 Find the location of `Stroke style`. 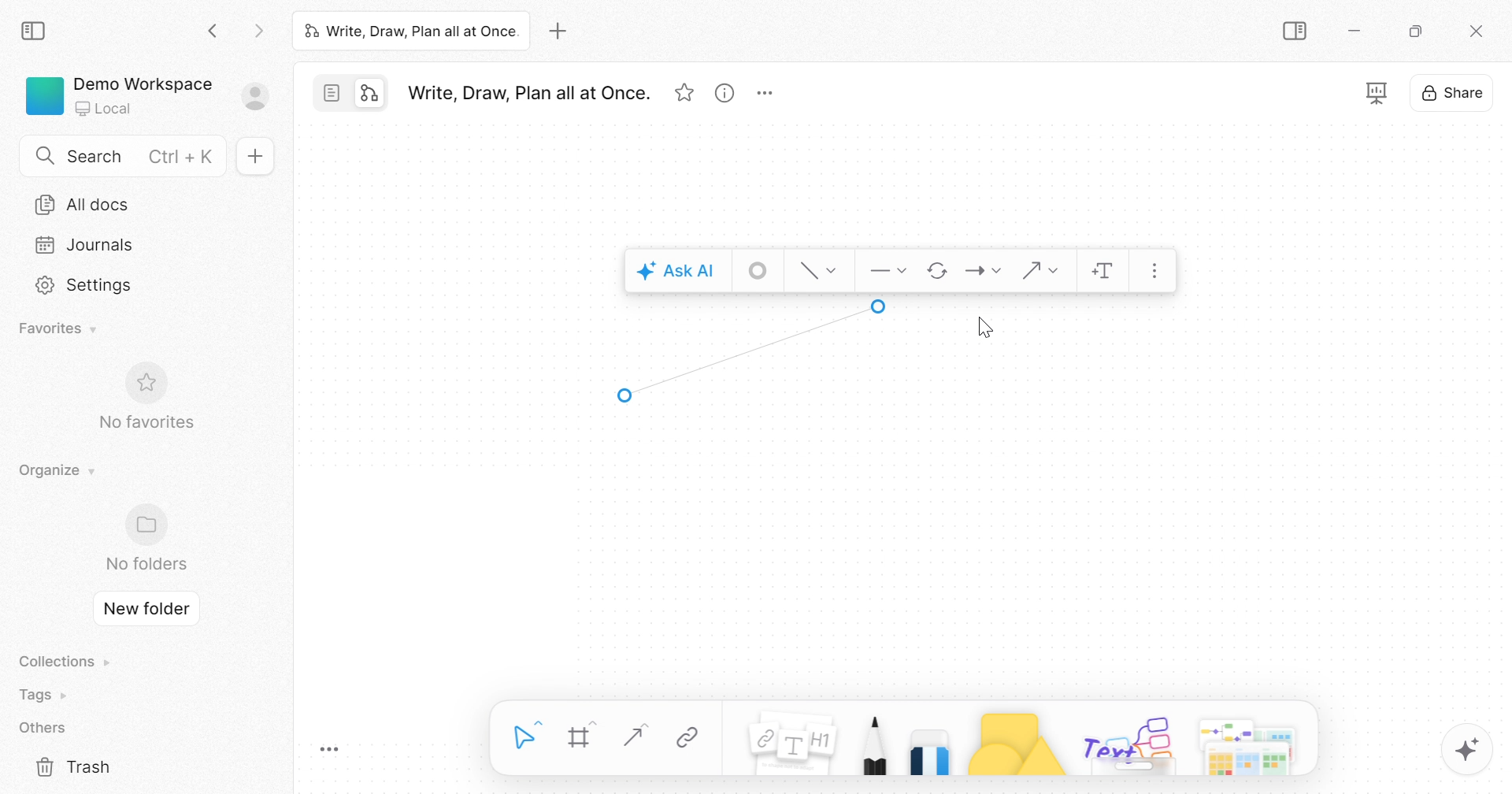

Stroke style is located at coordinates (759, 271).